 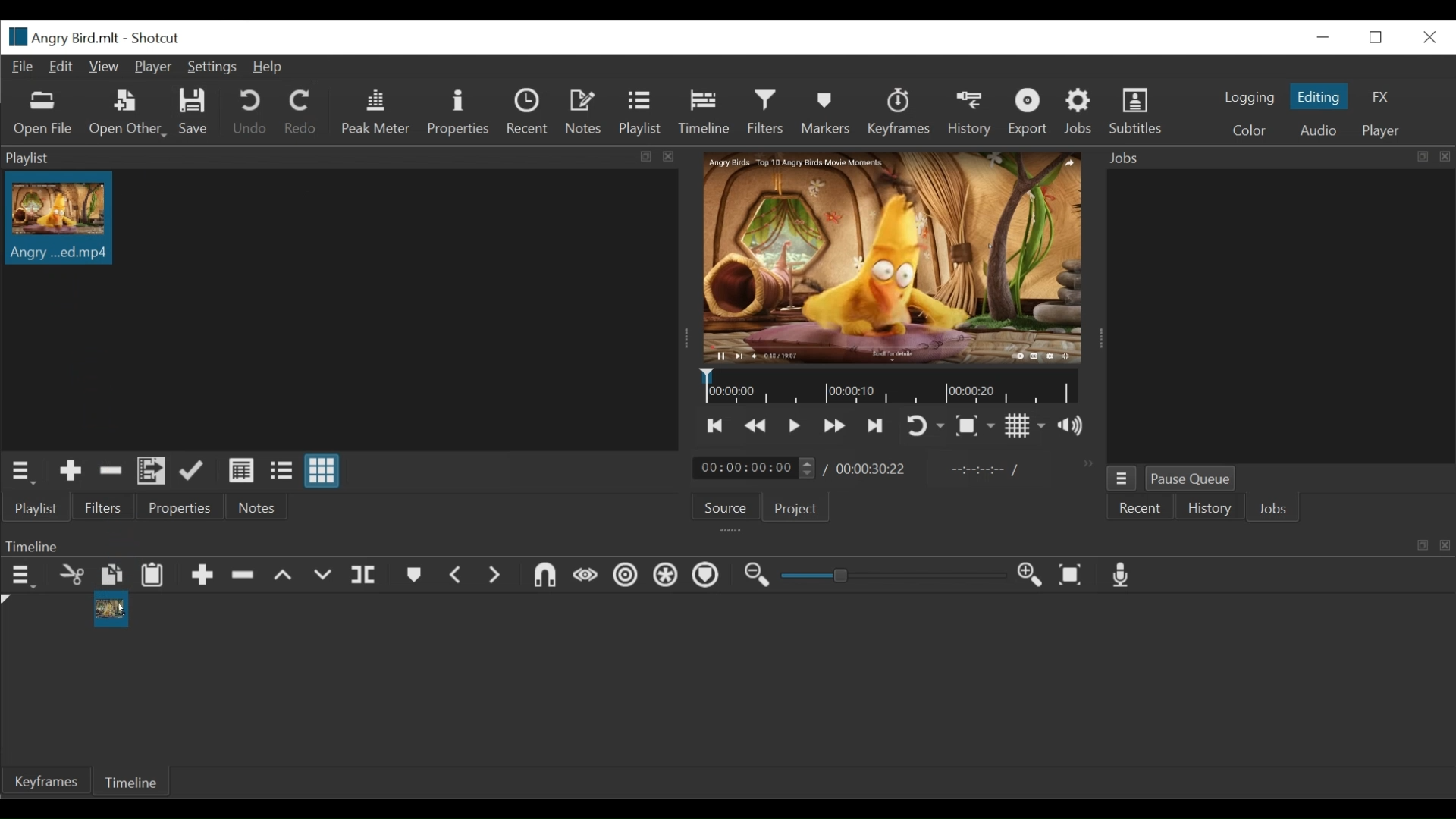 I want to click on Add the Source to the playlist, so click(x=70, y=471).